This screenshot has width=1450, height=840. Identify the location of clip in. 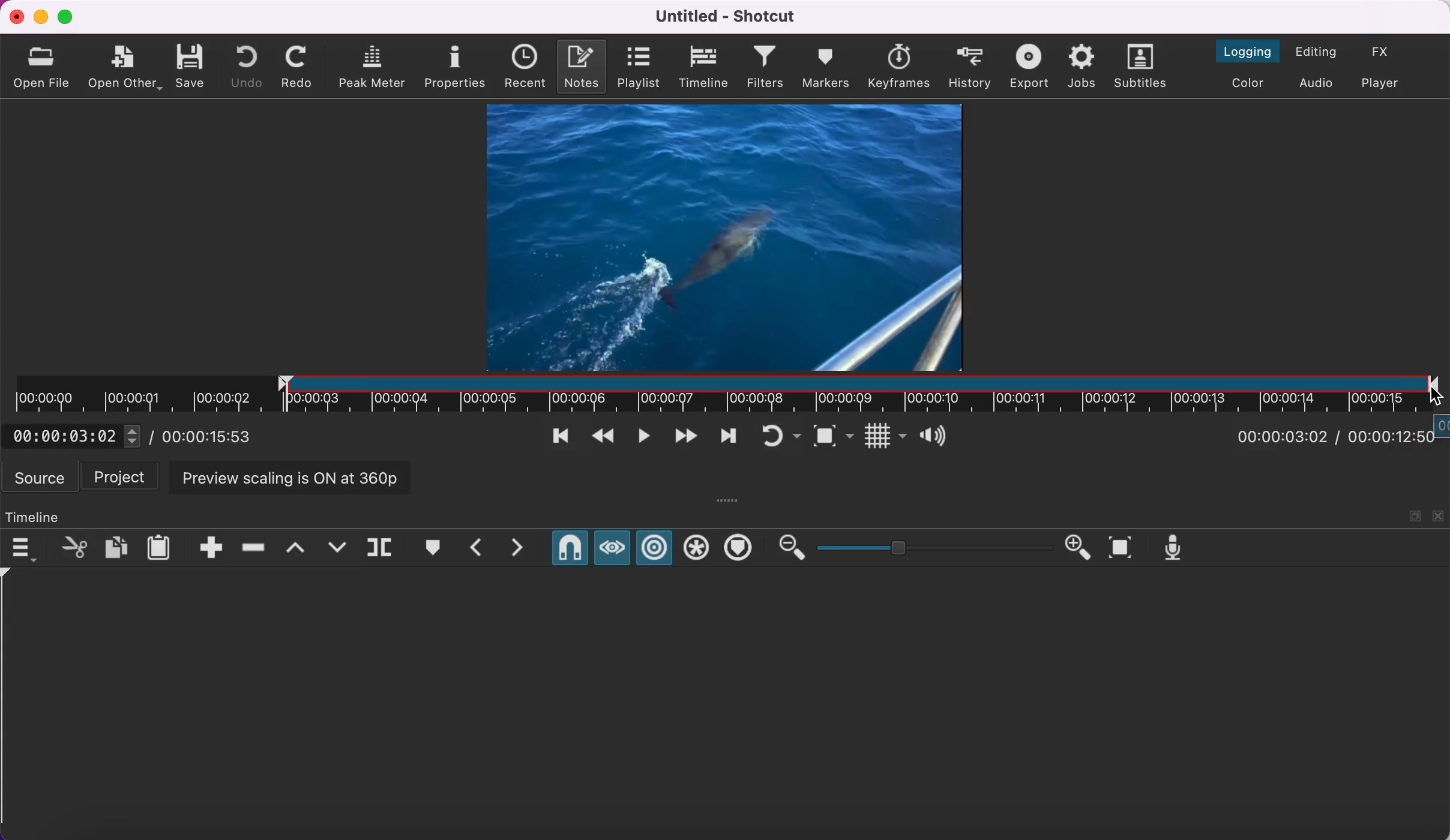
(863, 394).